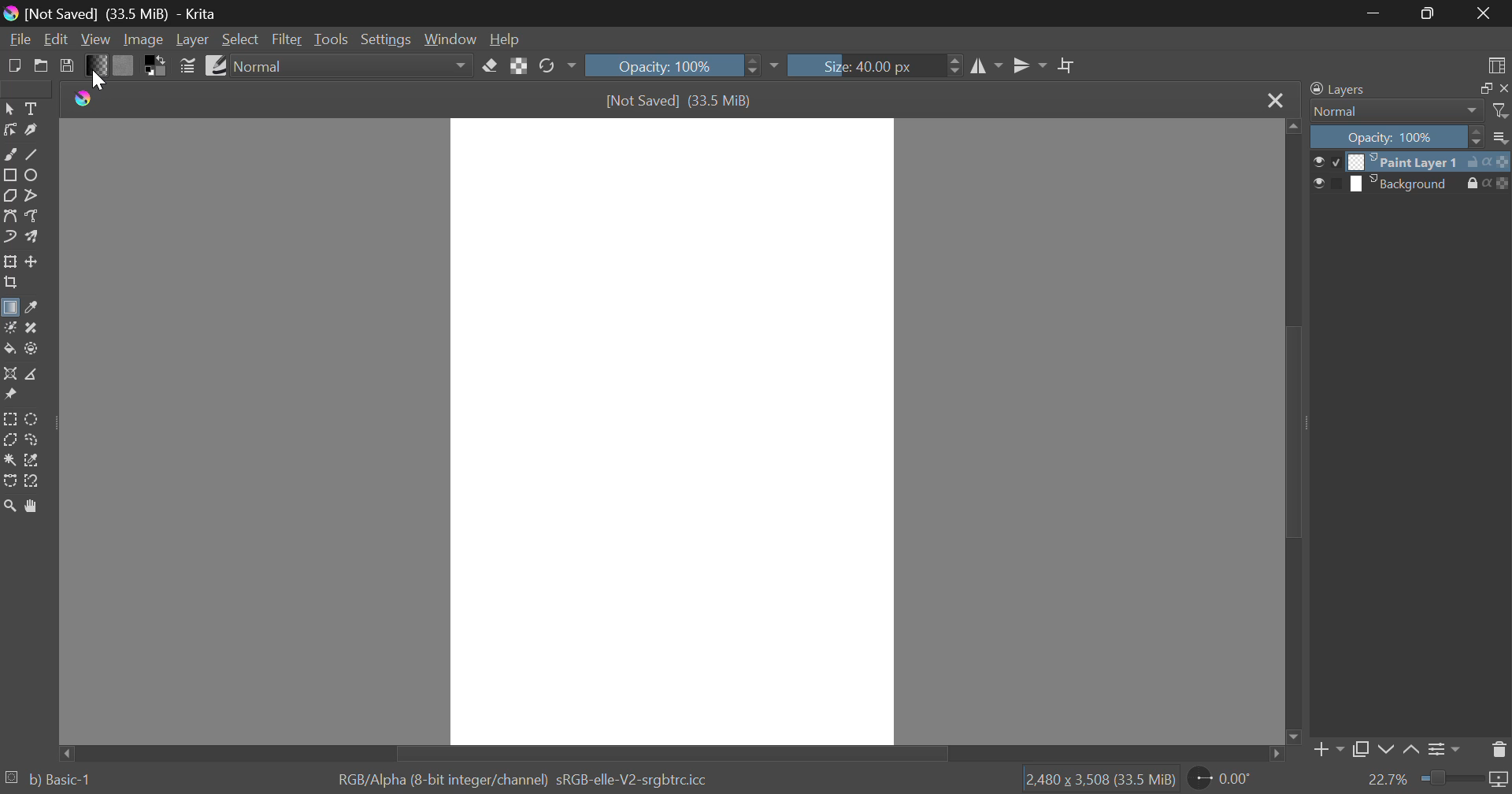  I want to click on Freehand, so click(9, 153).